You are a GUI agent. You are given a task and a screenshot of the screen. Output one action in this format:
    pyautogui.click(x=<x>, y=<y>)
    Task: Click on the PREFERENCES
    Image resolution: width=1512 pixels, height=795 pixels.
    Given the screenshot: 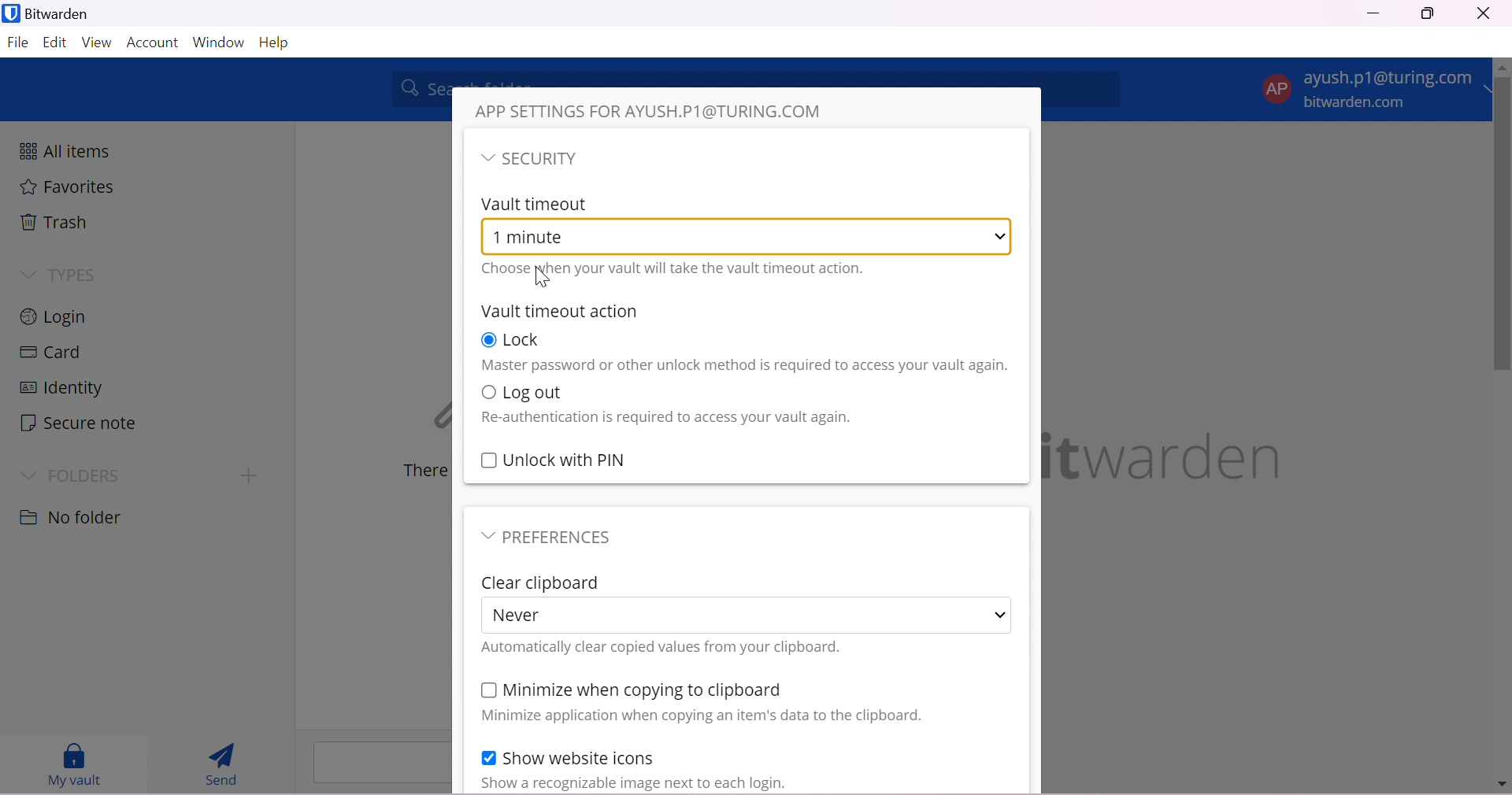 What is the action you would take?
    pyautogui.click(x=563, y=538)
    